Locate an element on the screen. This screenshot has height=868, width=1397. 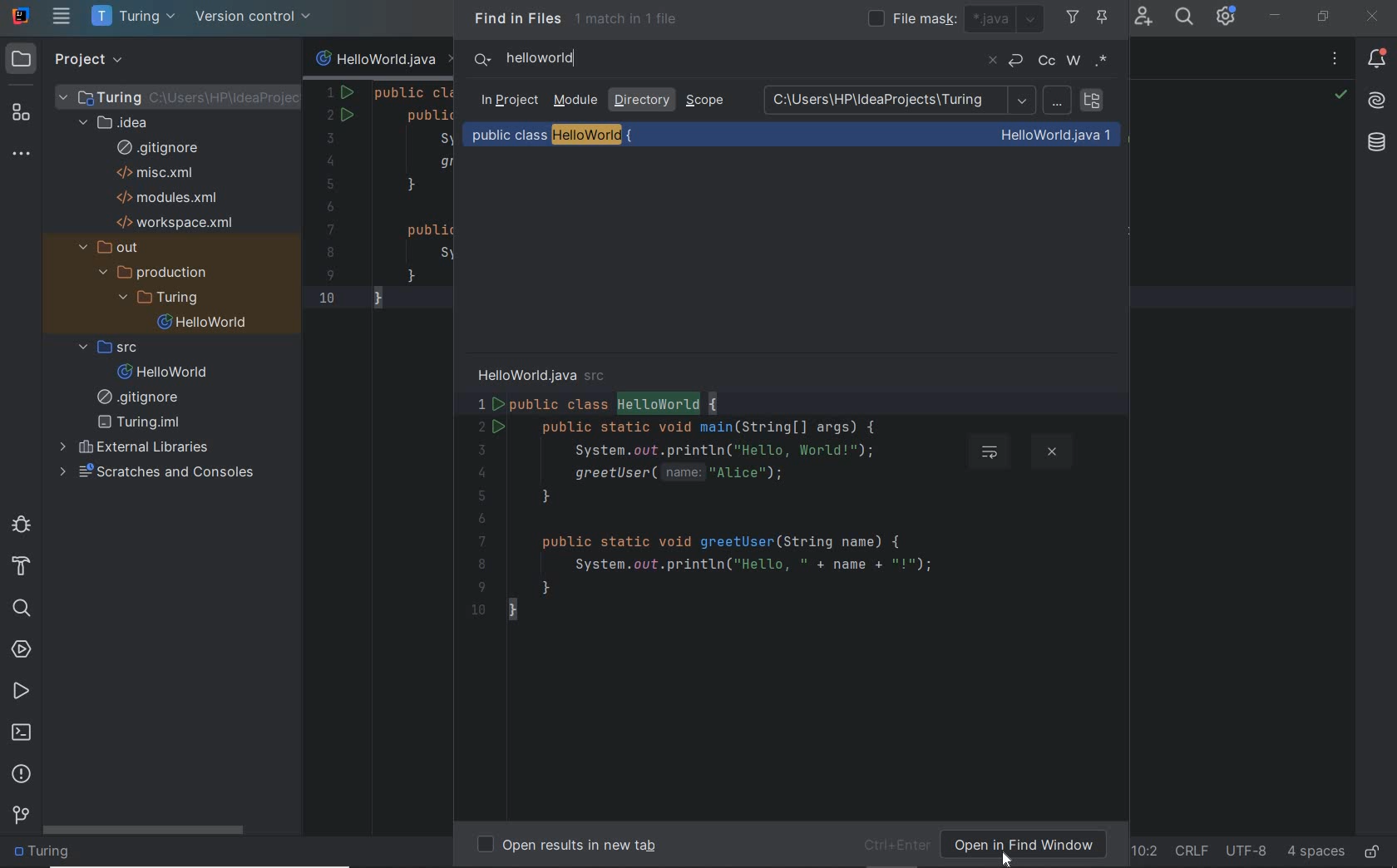
debug is located at coordinates (21, 527).